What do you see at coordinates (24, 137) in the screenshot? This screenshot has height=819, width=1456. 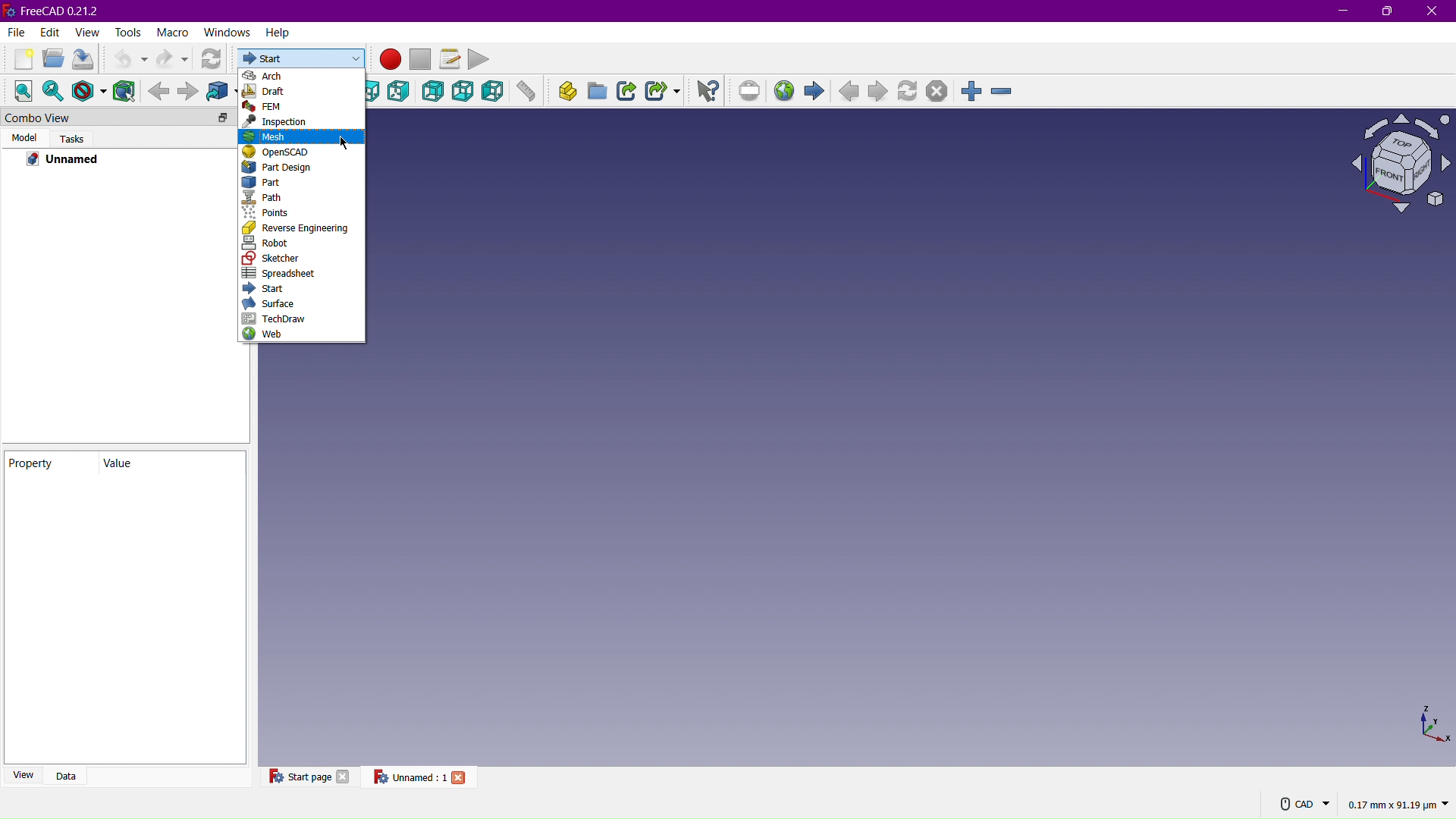 I see `Model` at bounding box center [24, 137].